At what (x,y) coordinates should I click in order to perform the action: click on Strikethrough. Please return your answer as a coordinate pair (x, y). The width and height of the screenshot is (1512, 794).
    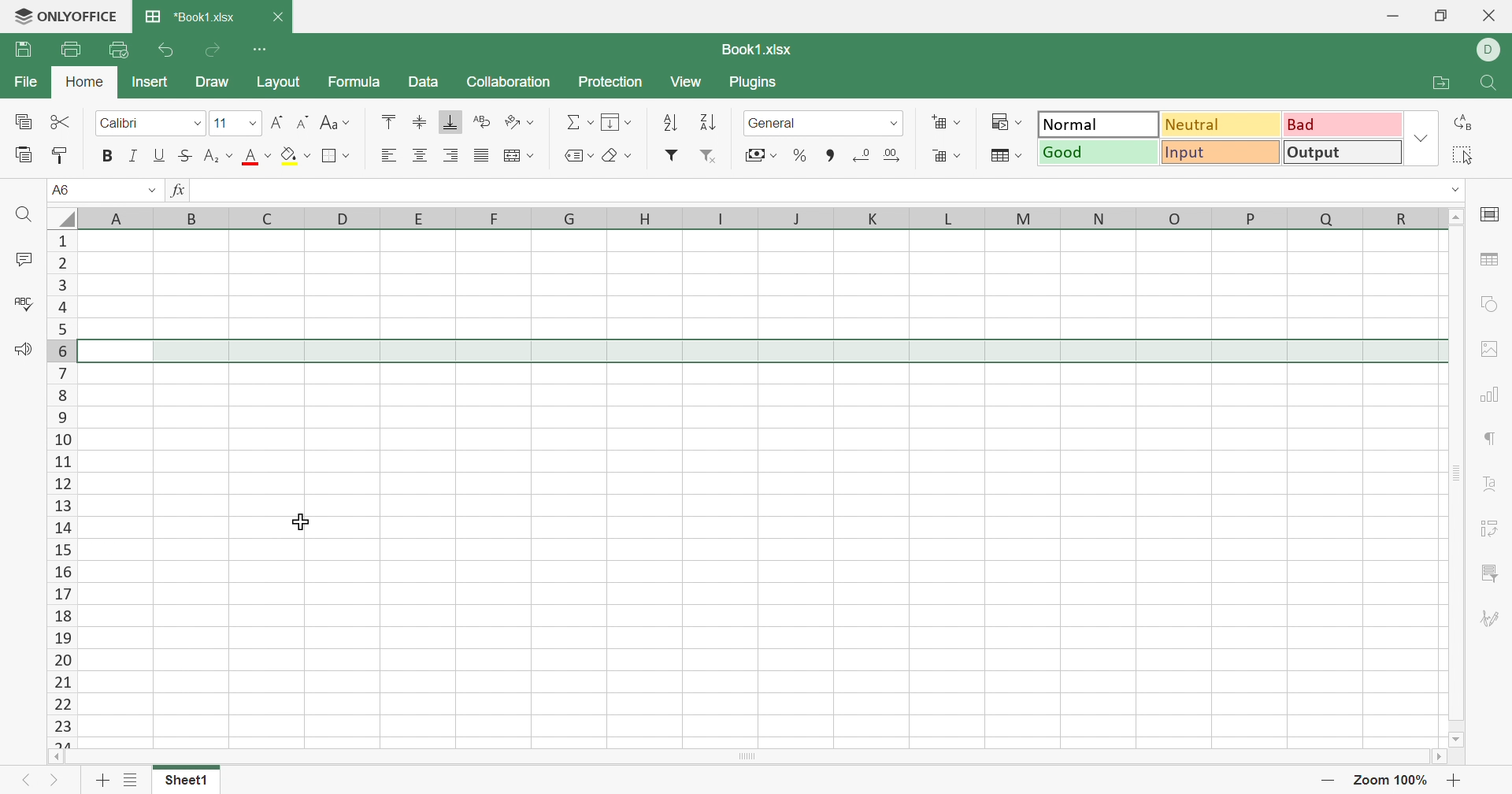
    Looking at the image, I should click on (187, 157).